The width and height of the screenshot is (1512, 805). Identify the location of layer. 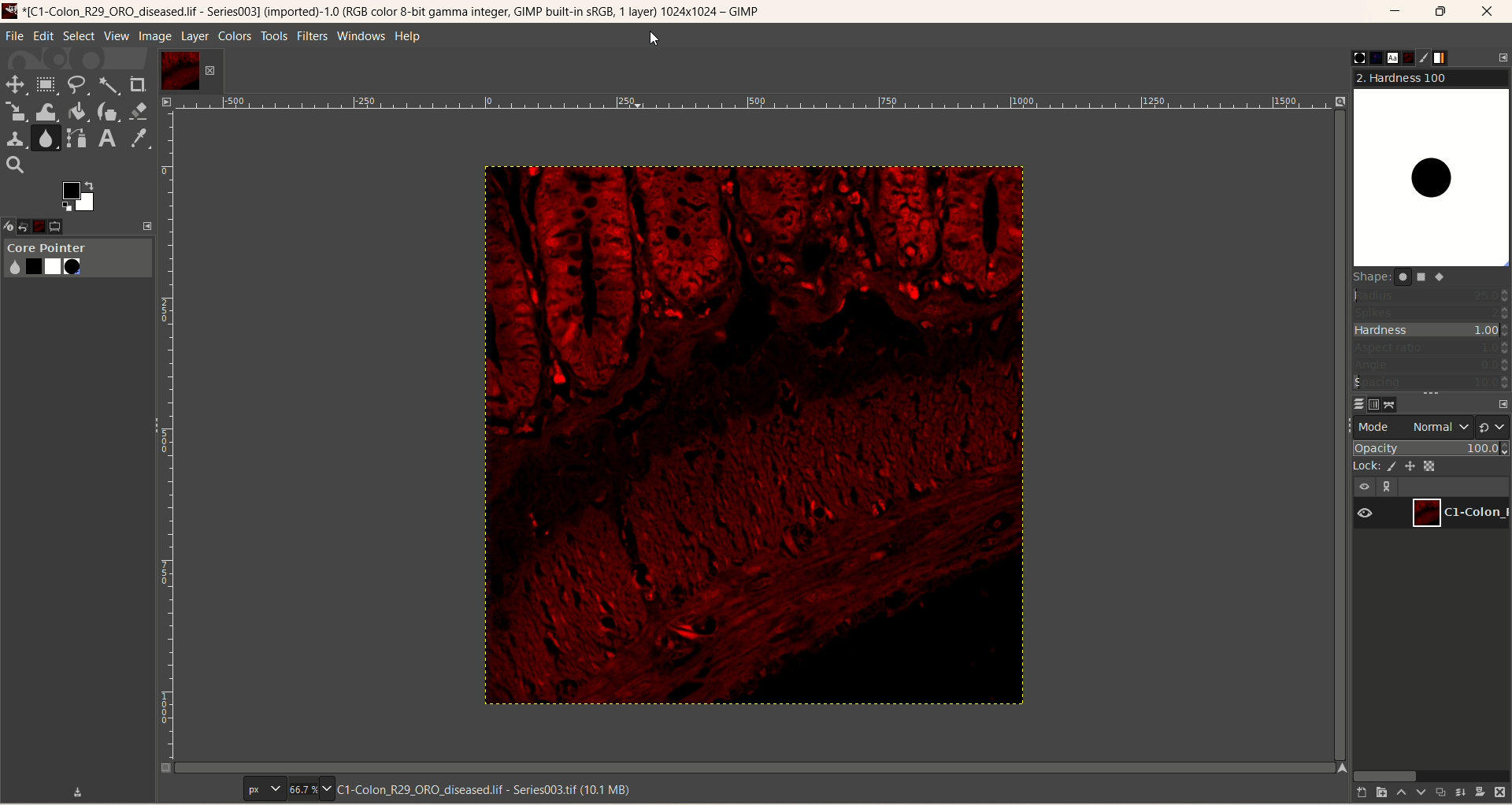
(194, 36).